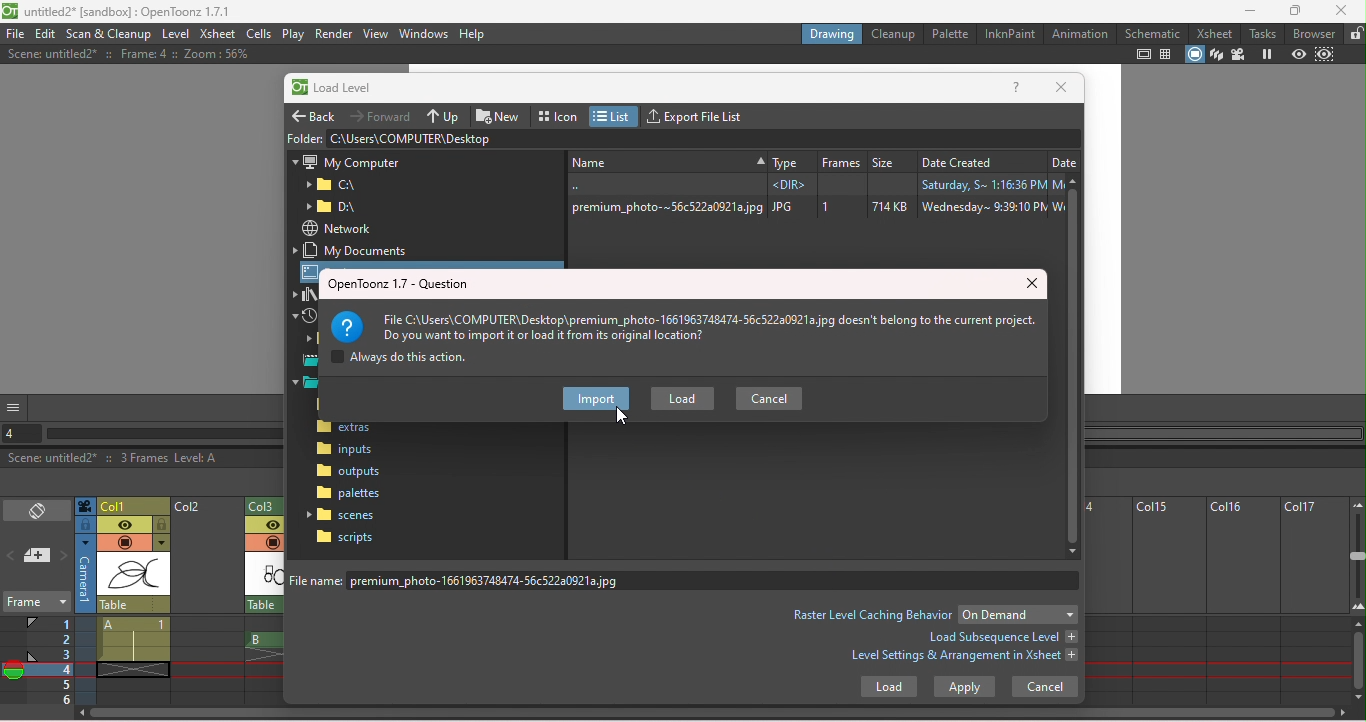 The width and height of the screenshot is (1366, 722). Describe the element at coordinates (332, 185) in the screenshot. I see `Folder` at that location.